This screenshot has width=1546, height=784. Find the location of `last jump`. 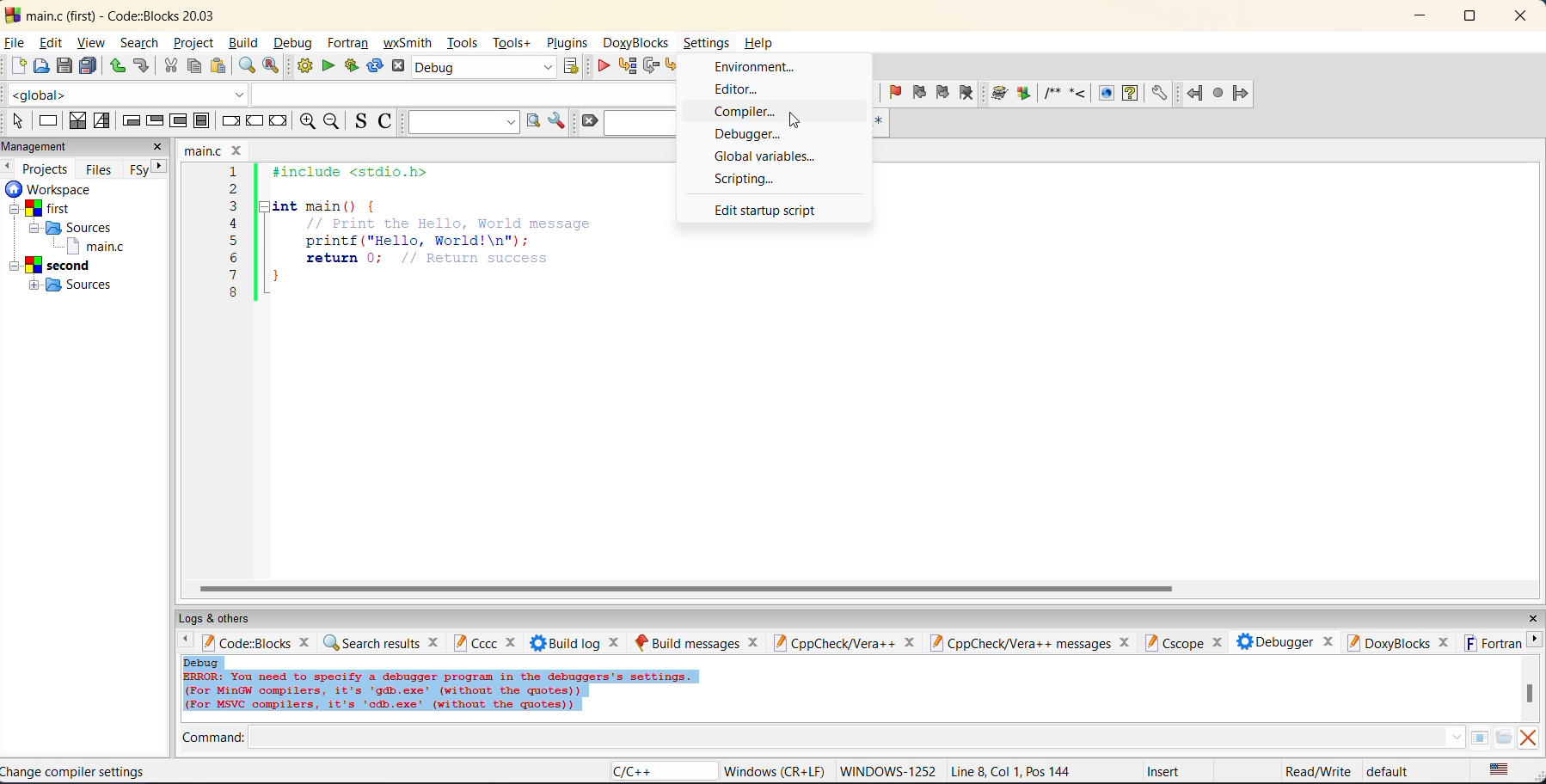

last jump is located at coordinates (1218, 95).